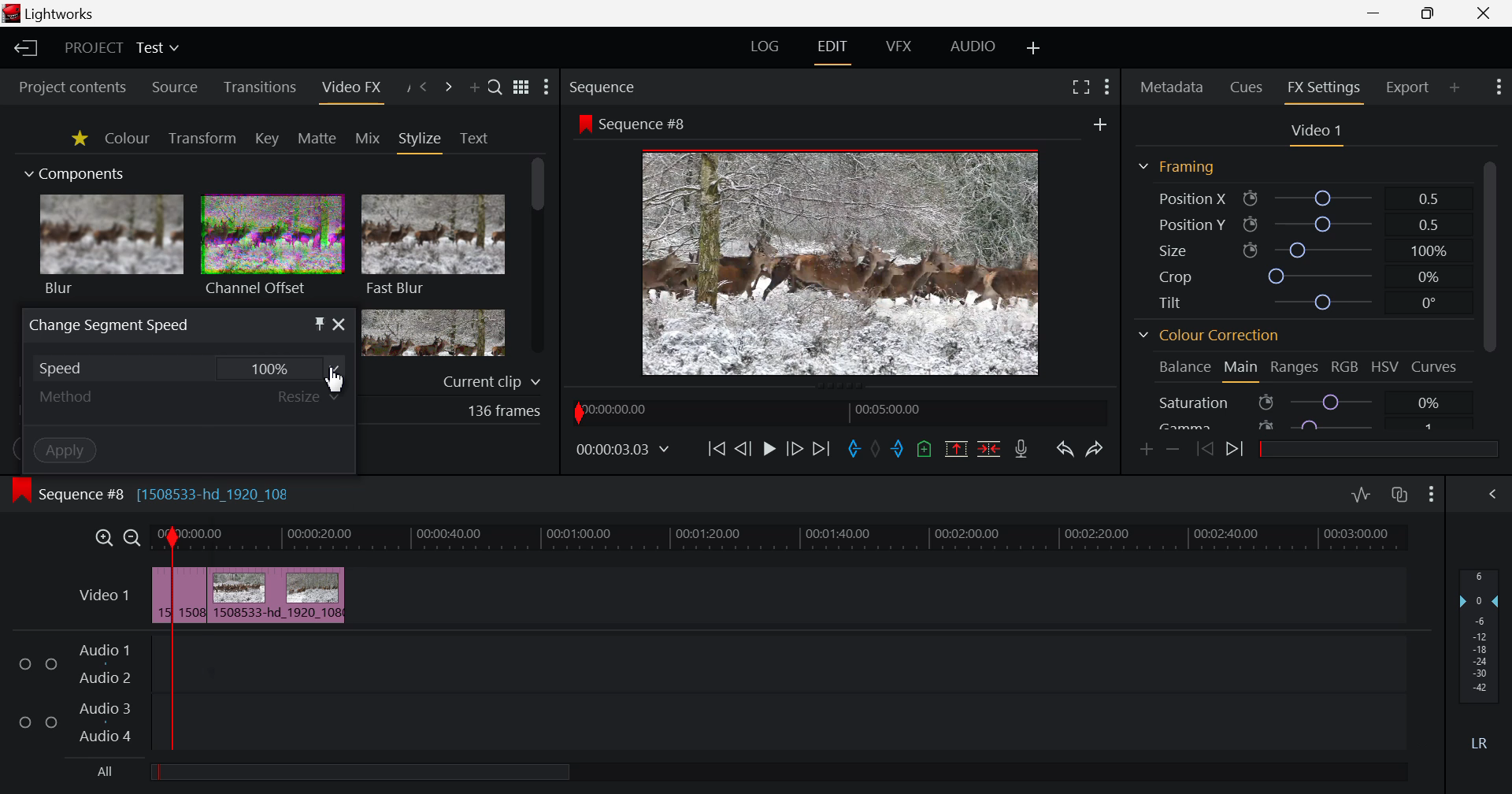 This screenshot has width=1512, height=794. What do you see at coordinates (958, 451) in the screenshot?
I see `Remove marked section` at bounding box center [958, 451].